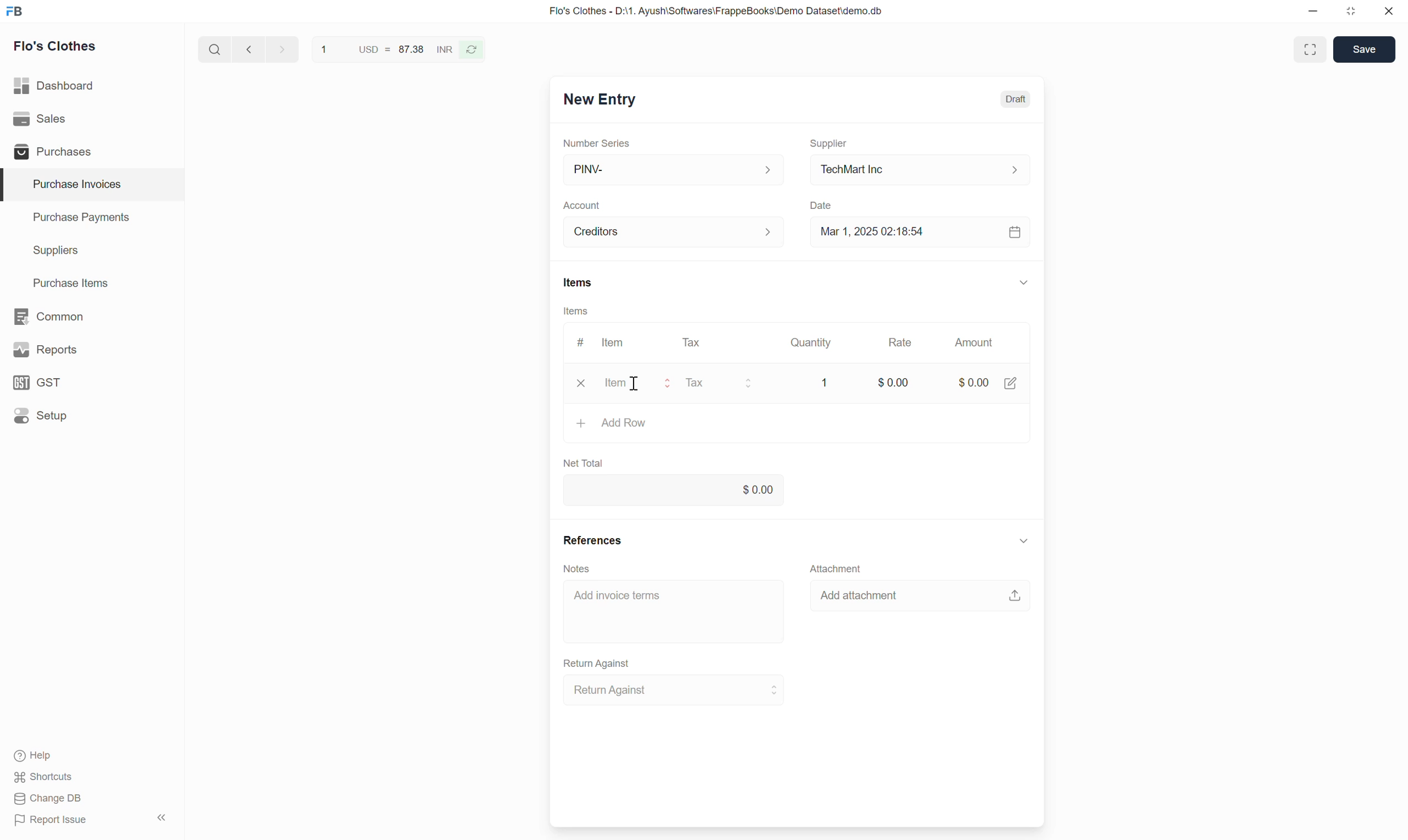  I want to click on $0.00, so click(889, 386).